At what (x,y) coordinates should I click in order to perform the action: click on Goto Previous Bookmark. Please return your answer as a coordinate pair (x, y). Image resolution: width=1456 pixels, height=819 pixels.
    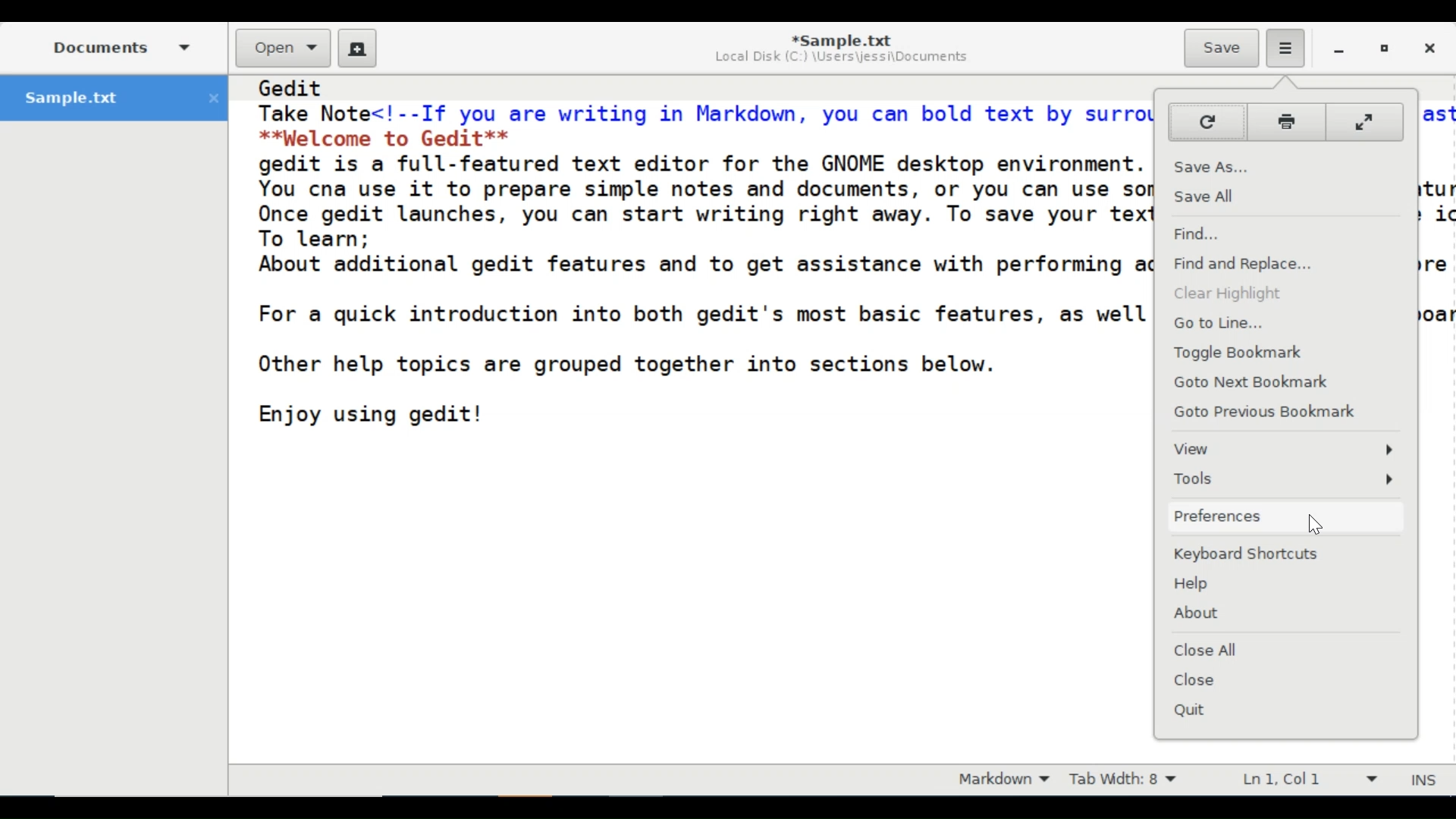
    Looking at the image, I should click on (1267, 411).